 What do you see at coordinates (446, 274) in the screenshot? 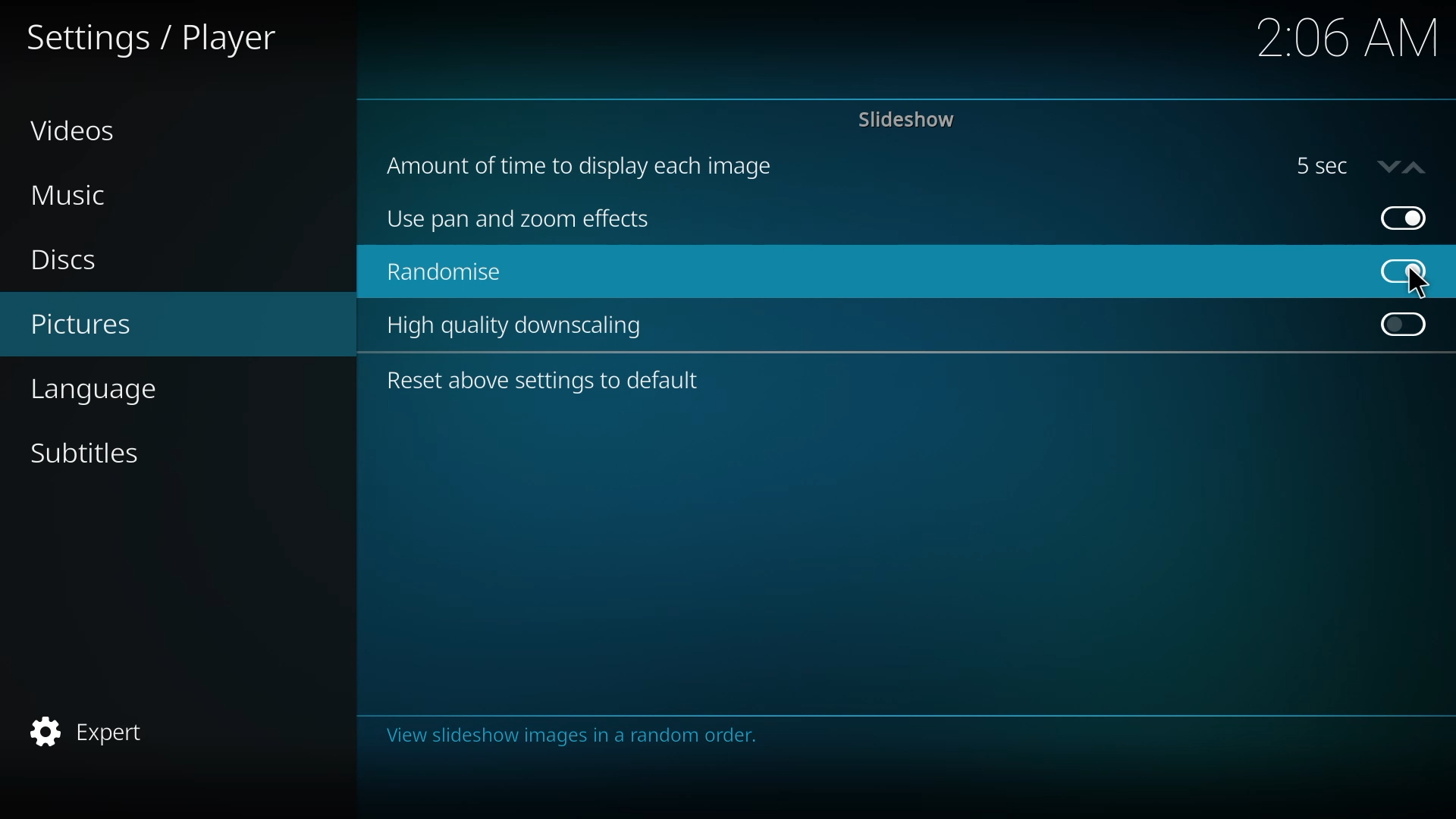
I see `randomize` at bounding box center [446, 274].